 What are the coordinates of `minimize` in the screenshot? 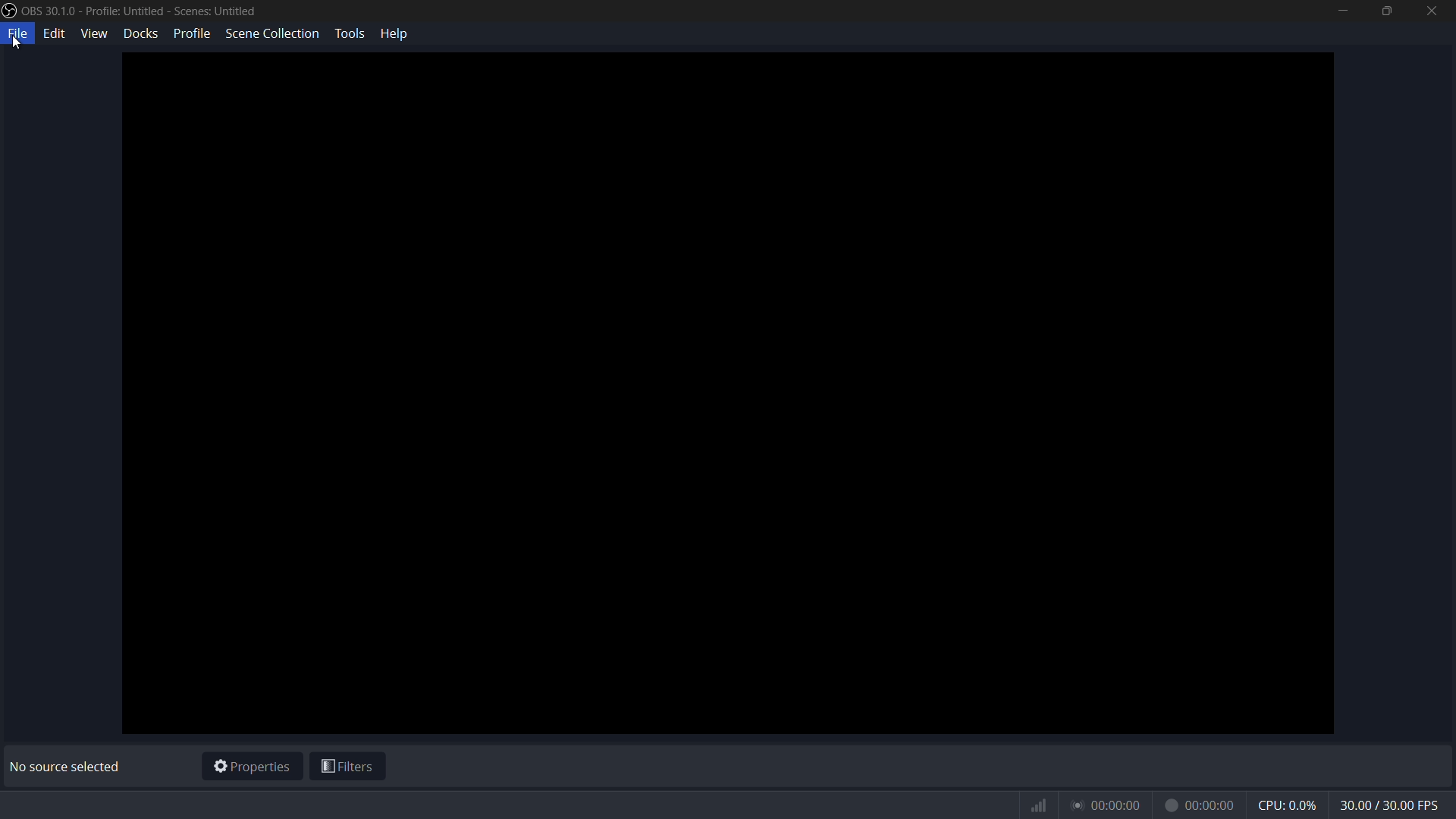 It's located at (1342, 11).